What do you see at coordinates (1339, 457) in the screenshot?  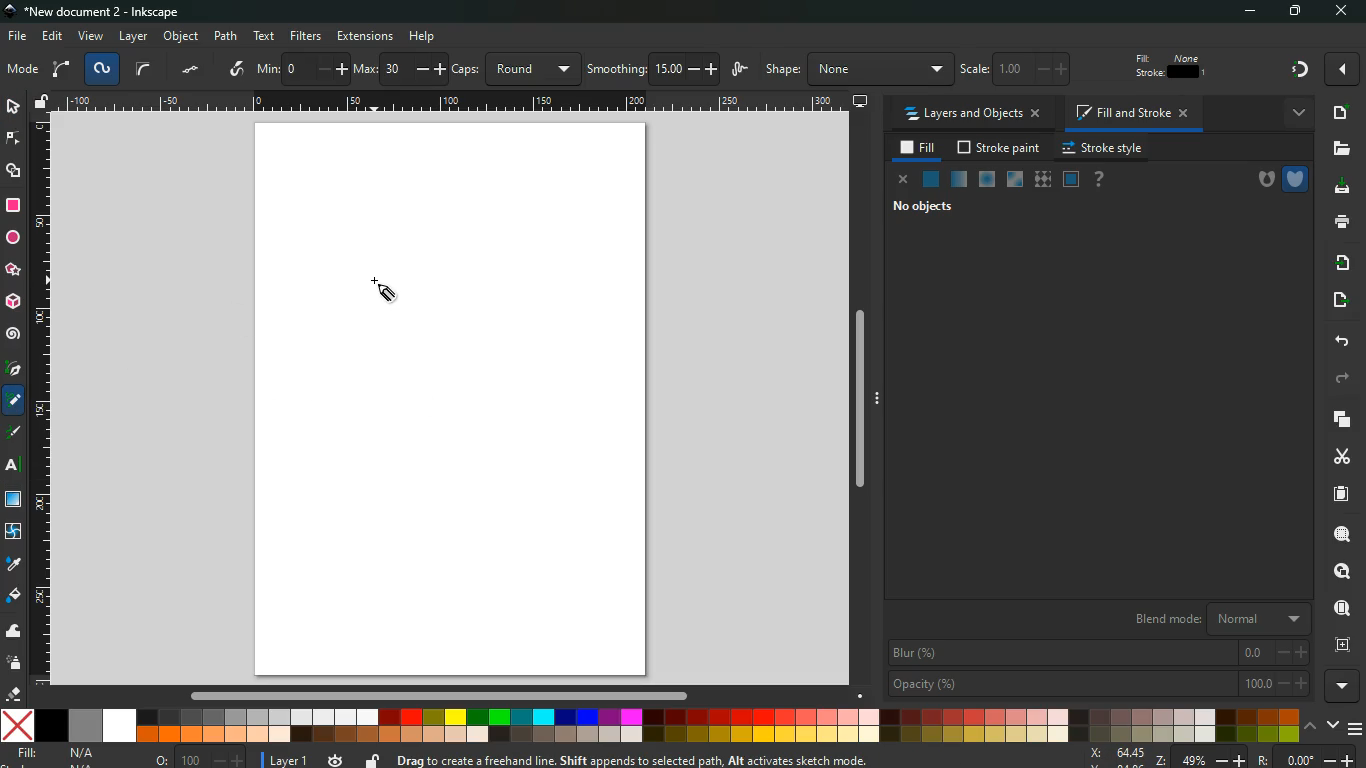 I see `cut` at bounding box center [1339, 457].